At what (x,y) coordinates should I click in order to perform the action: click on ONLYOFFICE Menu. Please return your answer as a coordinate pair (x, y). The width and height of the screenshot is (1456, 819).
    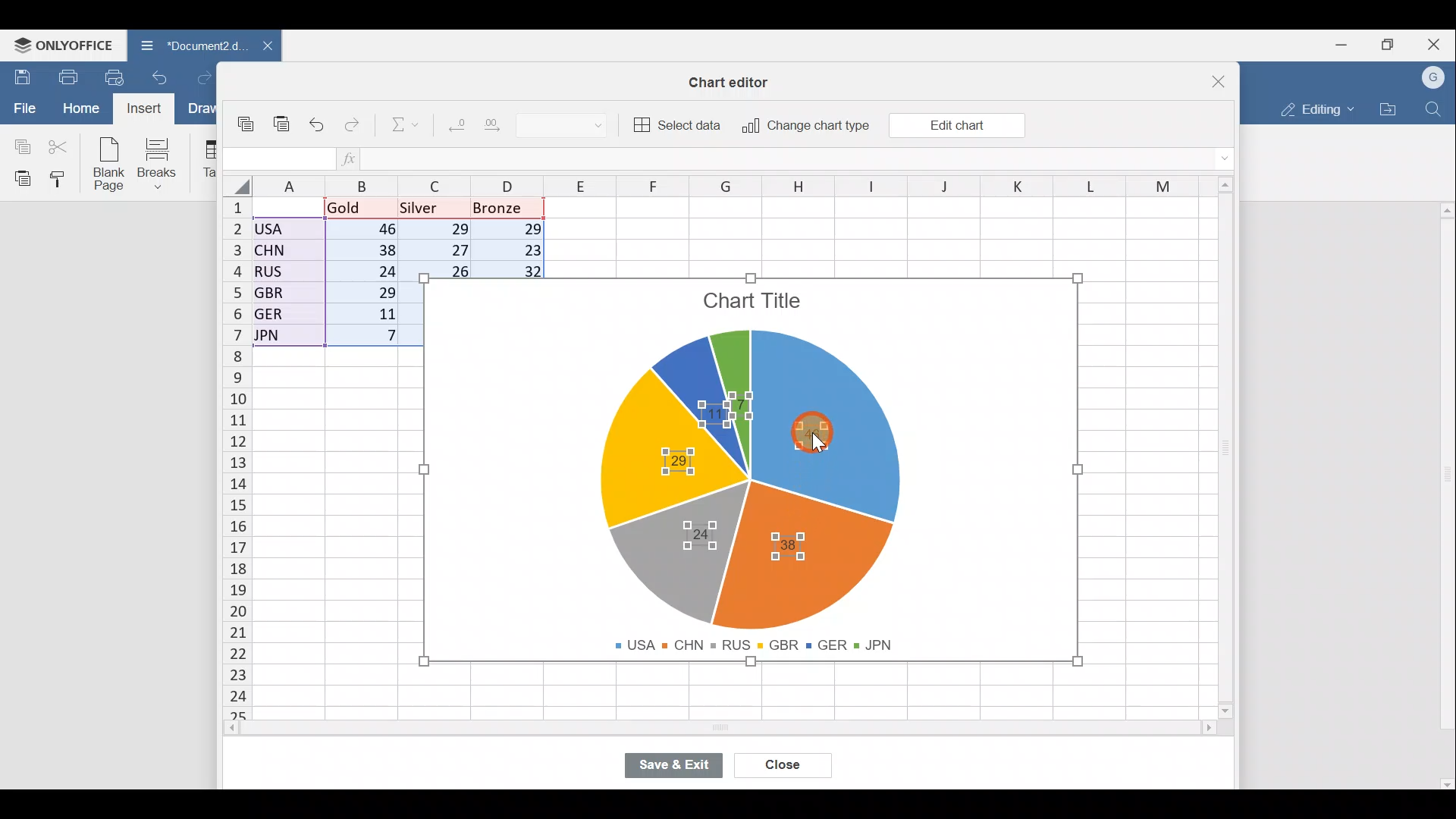
    Looking at the image, I should click on (61, 45).